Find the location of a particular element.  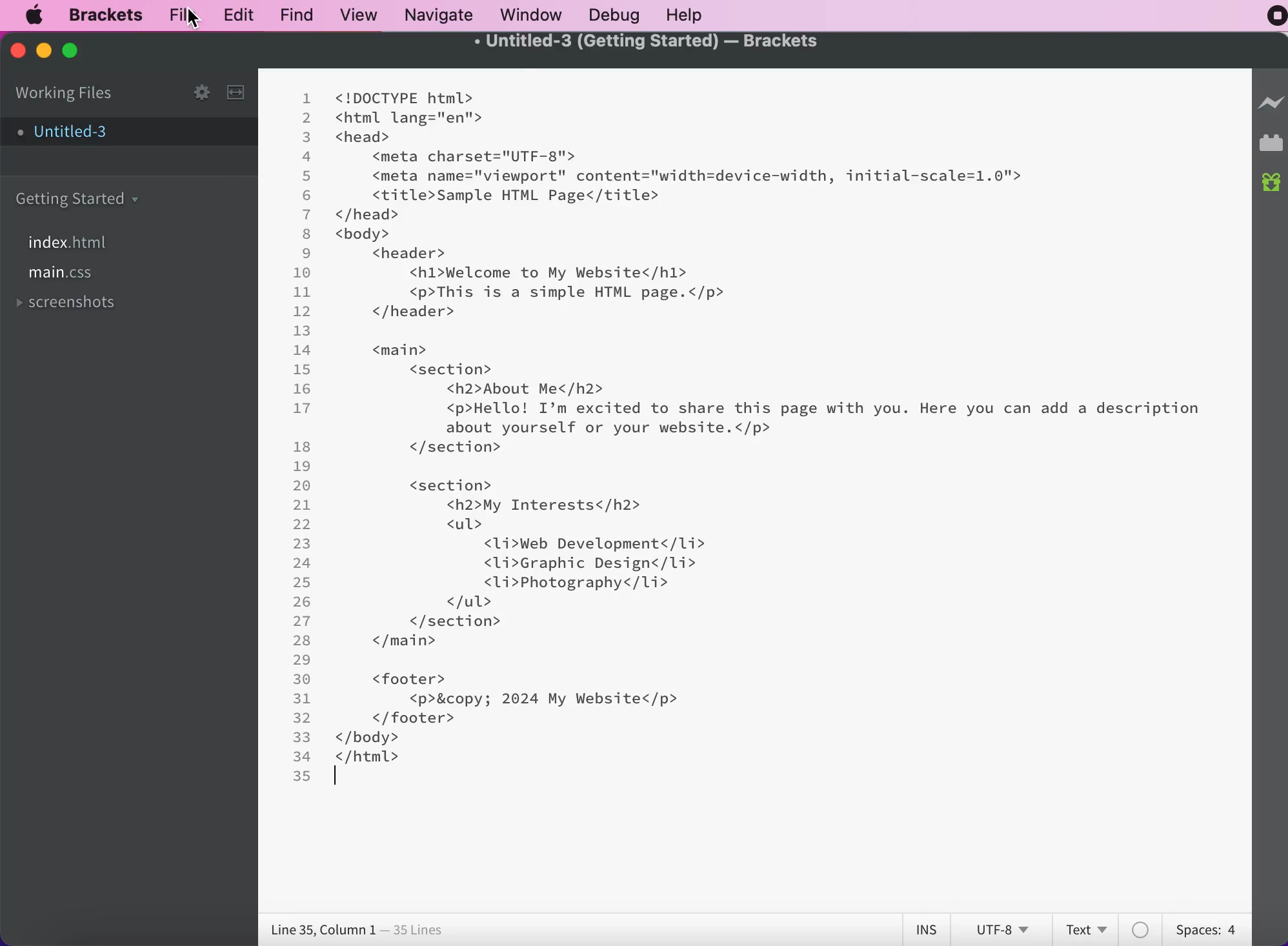

maximize is located at coordinates (72, 55).